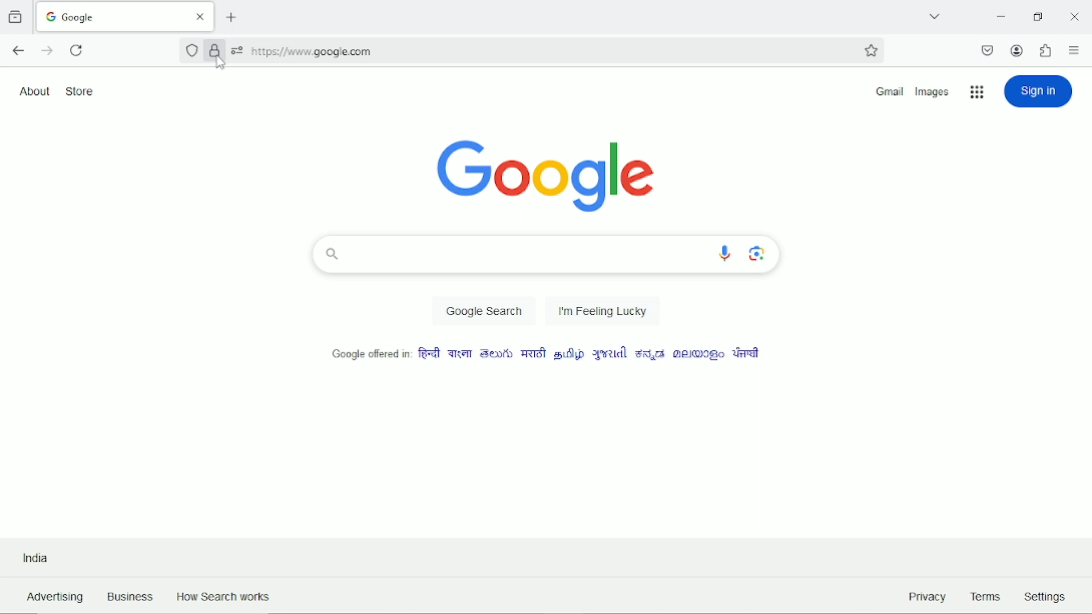 The image size is (1092, 614). Describe the element at coordinates (17, 17) in the screenshot. I see `View recent browsing` at that location.